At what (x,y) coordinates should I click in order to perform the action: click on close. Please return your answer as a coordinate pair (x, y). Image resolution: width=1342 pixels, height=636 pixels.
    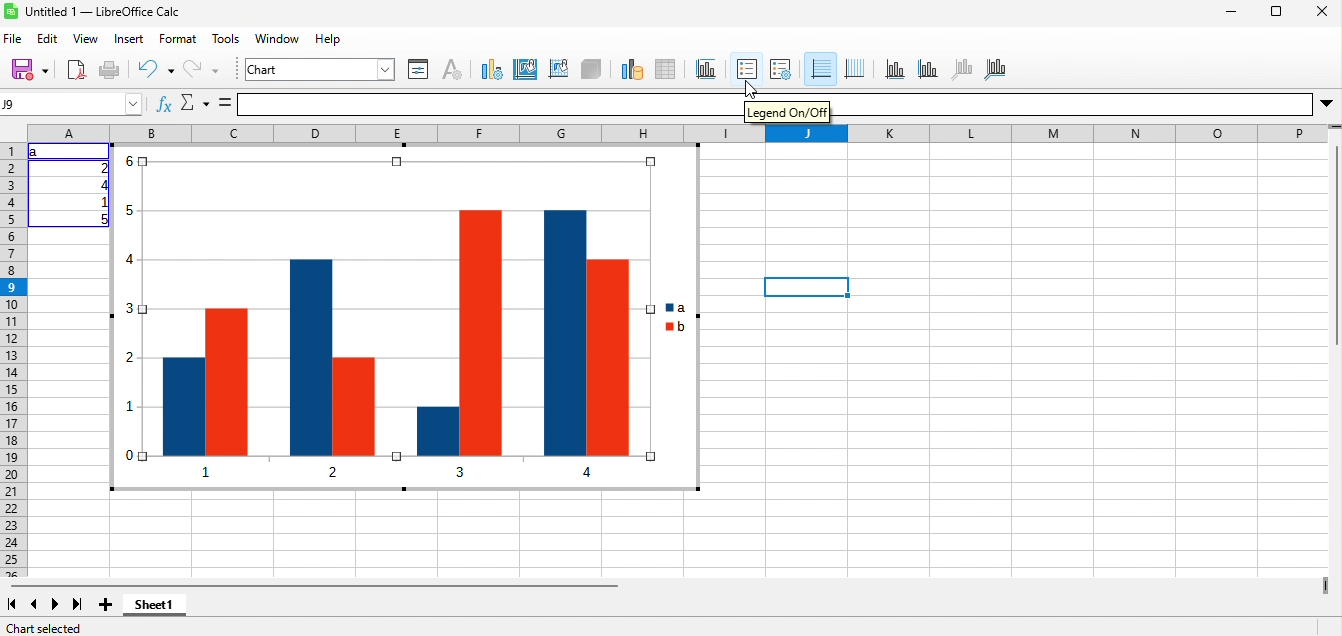
    Looking at the image, I should click on (1322, 11).